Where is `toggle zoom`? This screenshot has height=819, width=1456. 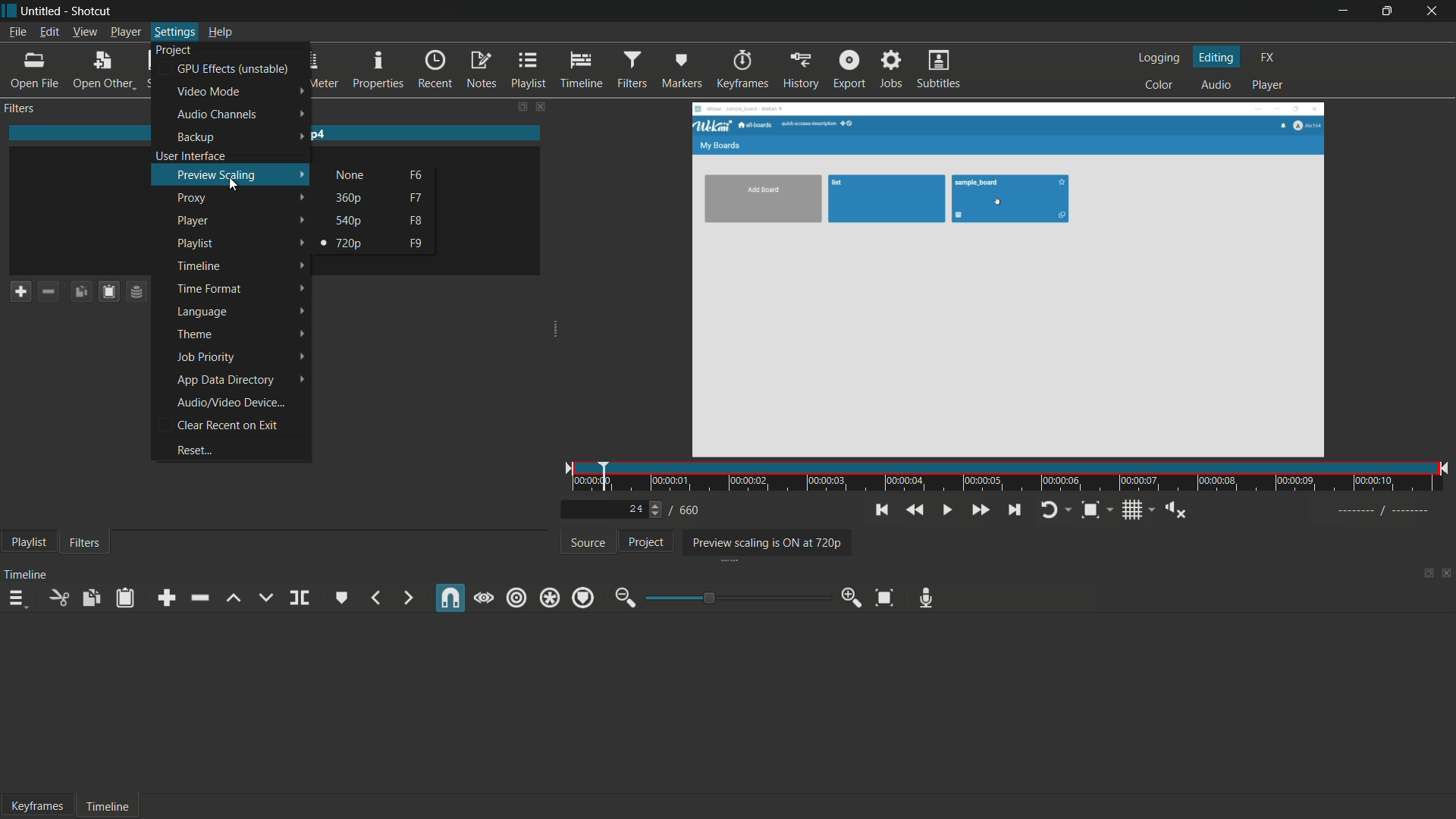
toggle zoom is located at coordinates (1090, 510).